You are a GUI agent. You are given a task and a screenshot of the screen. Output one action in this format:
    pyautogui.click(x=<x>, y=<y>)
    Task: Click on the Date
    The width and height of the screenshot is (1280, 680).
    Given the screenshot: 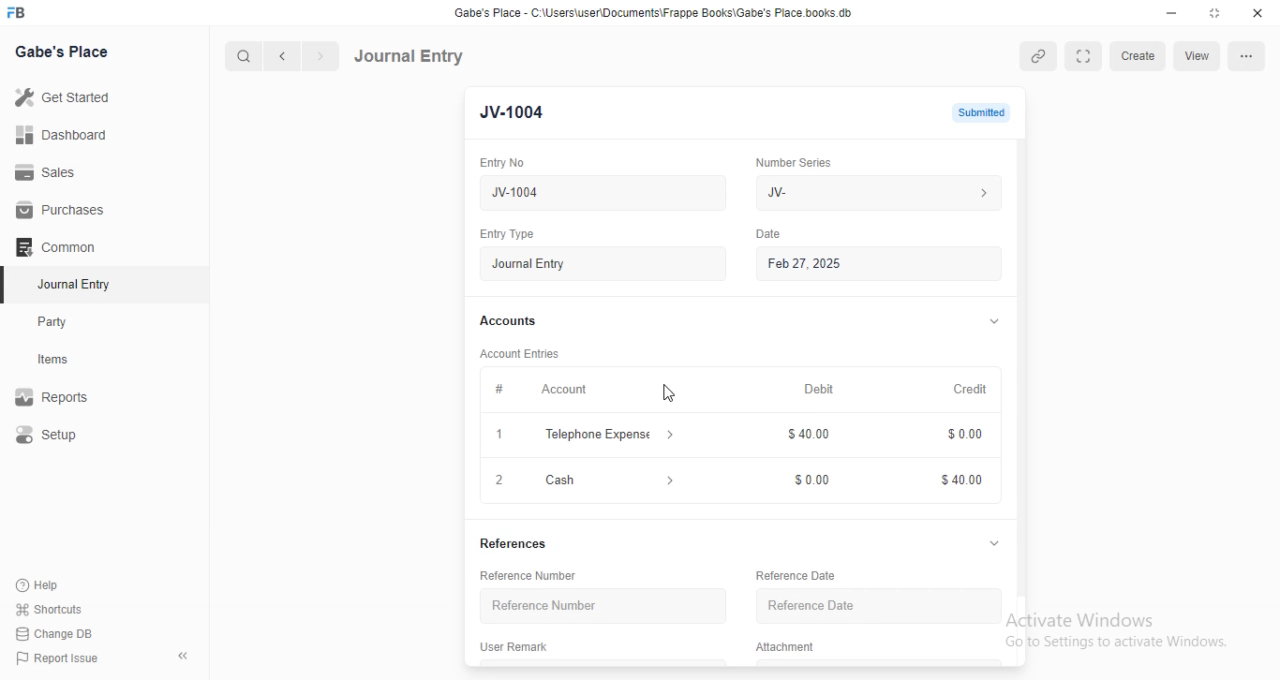 What is the action you would take?
    pyautogui.click(x=772, y=232)
    